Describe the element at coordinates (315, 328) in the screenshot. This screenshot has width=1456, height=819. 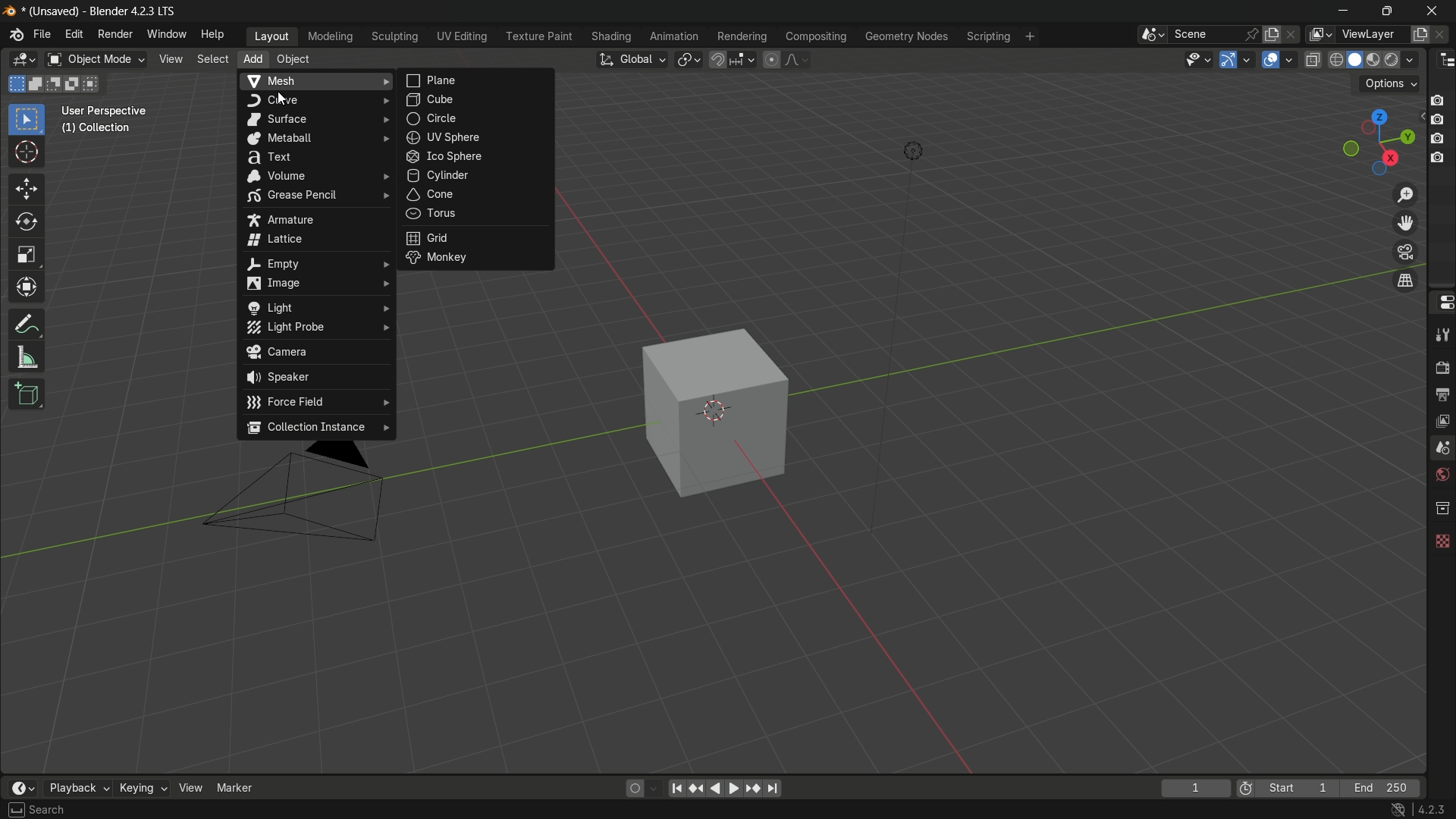
I see `light probe` at that location.